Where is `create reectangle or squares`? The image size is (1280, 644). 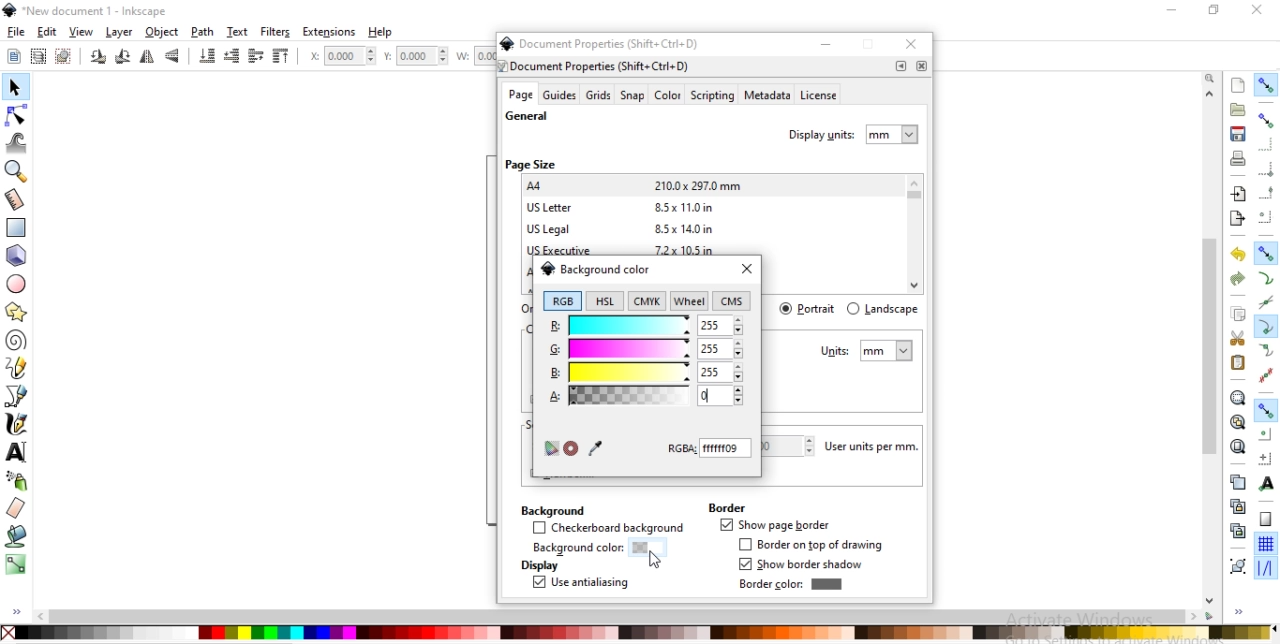
create reectangle or squares is located at coordinates (16, 226).